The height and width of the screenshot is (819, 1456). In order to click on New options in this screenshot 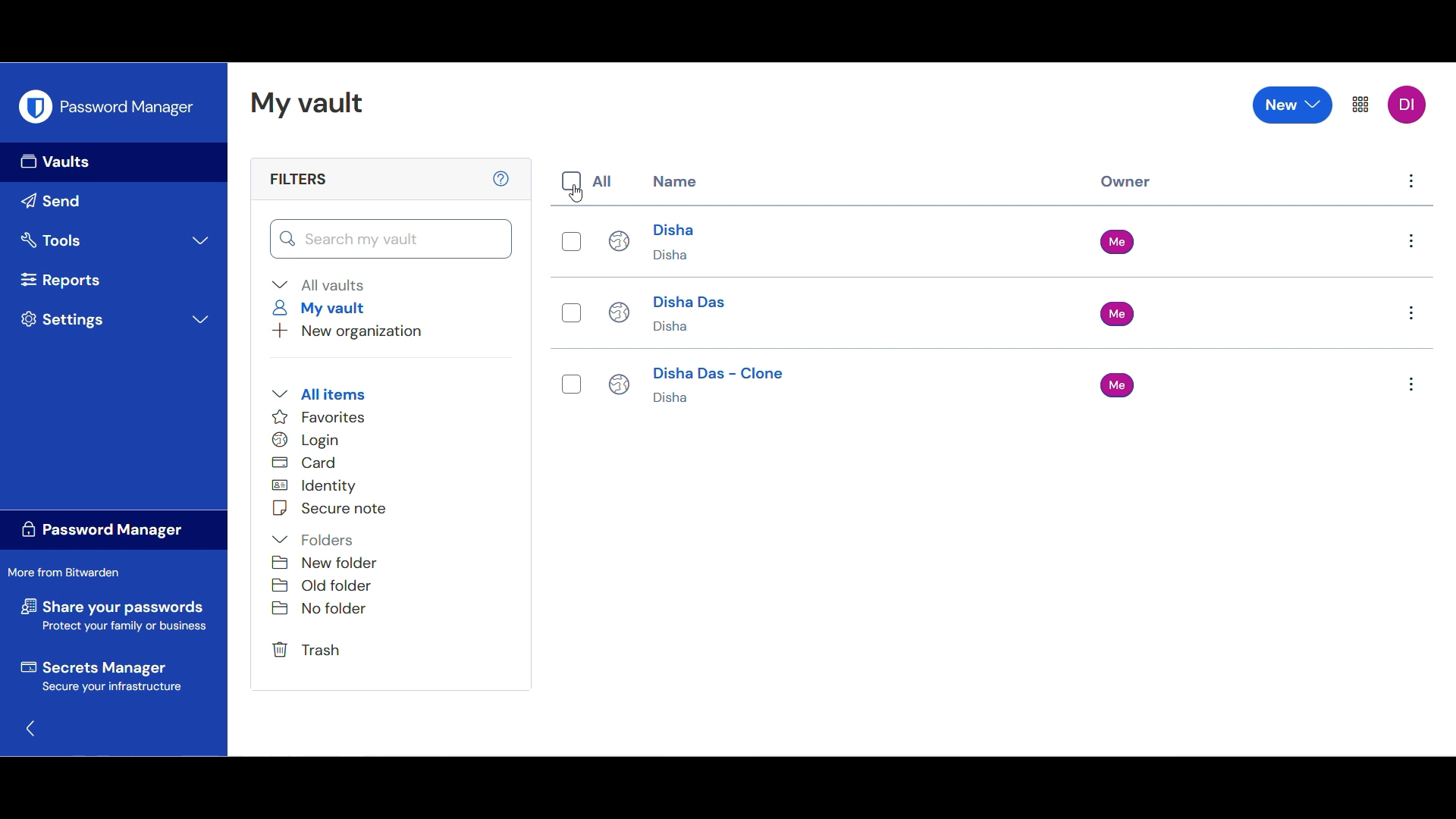, I will do `click(1293, 105)`.